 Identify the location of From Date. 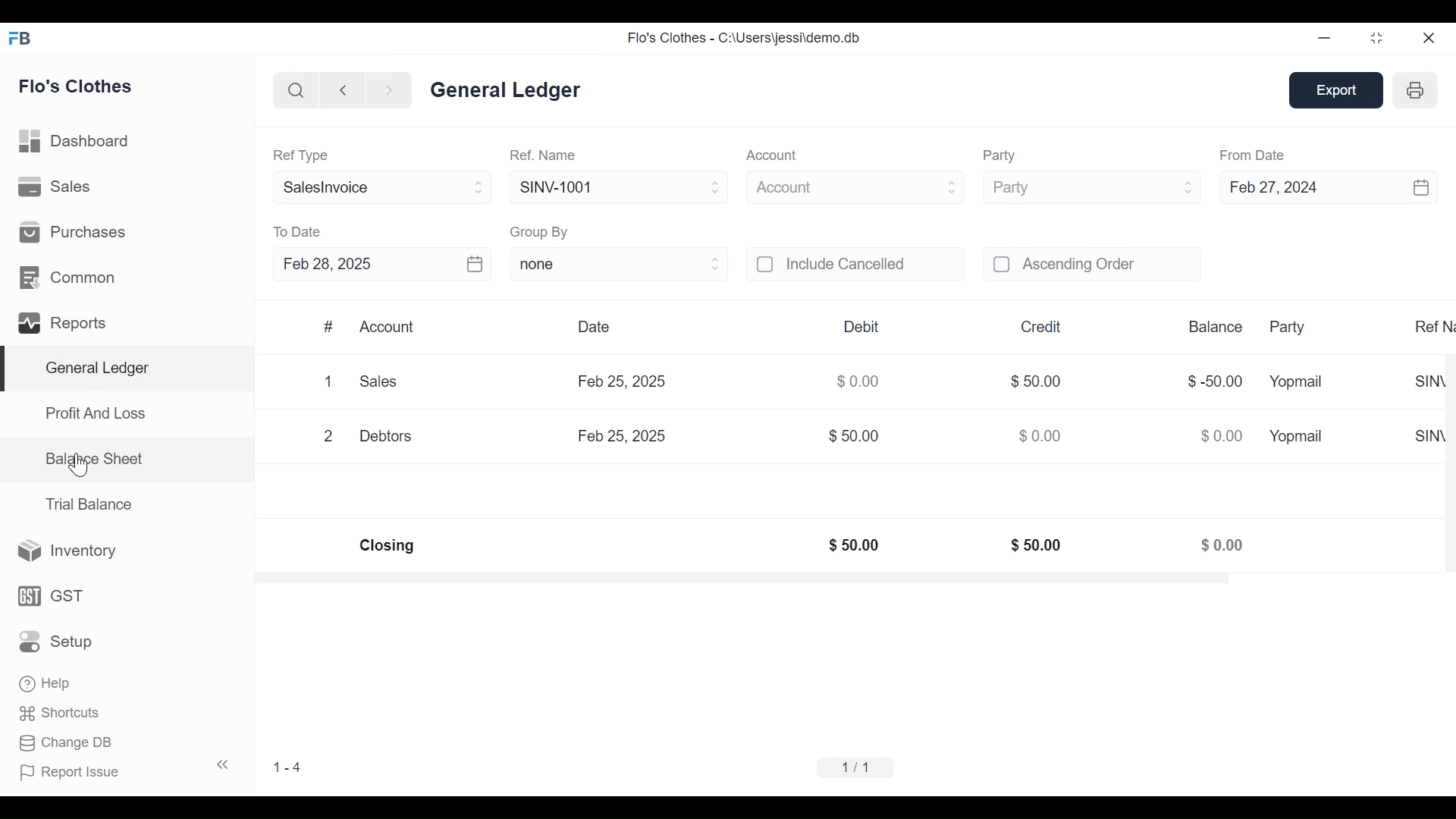
(1253, 156).